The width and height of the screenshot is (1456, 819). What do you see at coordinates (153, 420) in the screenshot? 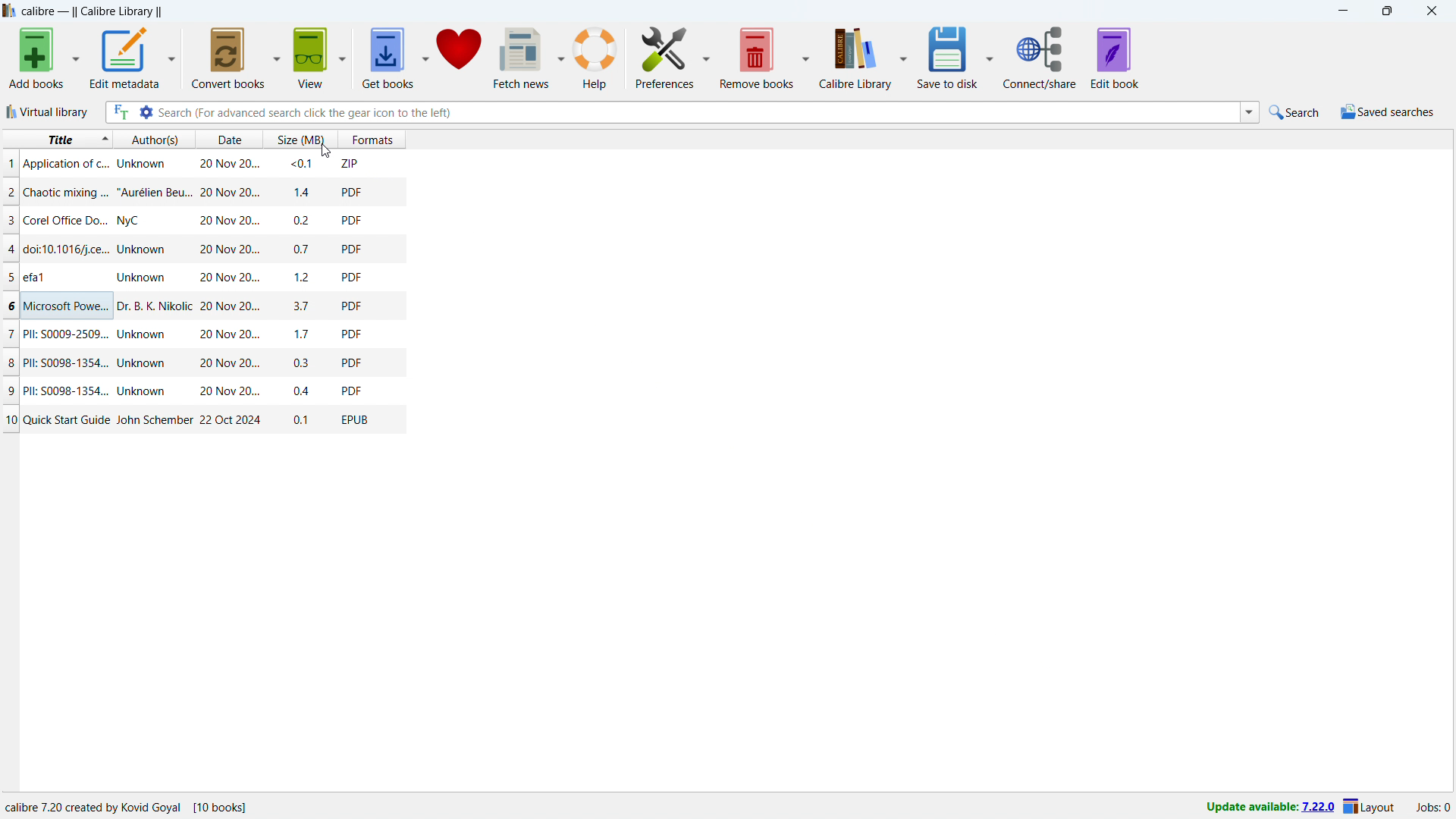
I see `author` at bounding box center [153, 420].